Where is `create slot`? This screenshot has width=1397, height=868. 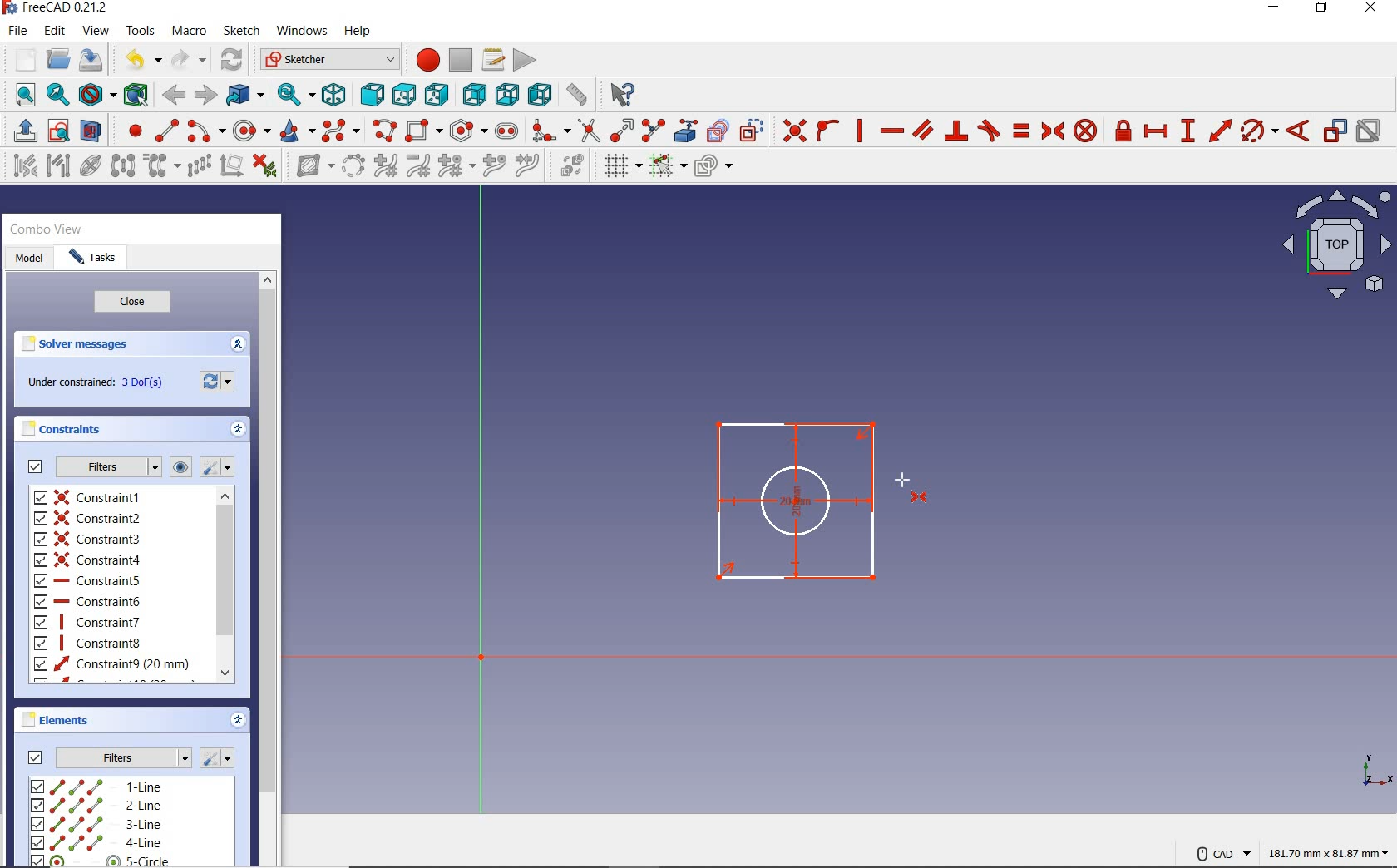 create slot is located at coordinates (510, 133).